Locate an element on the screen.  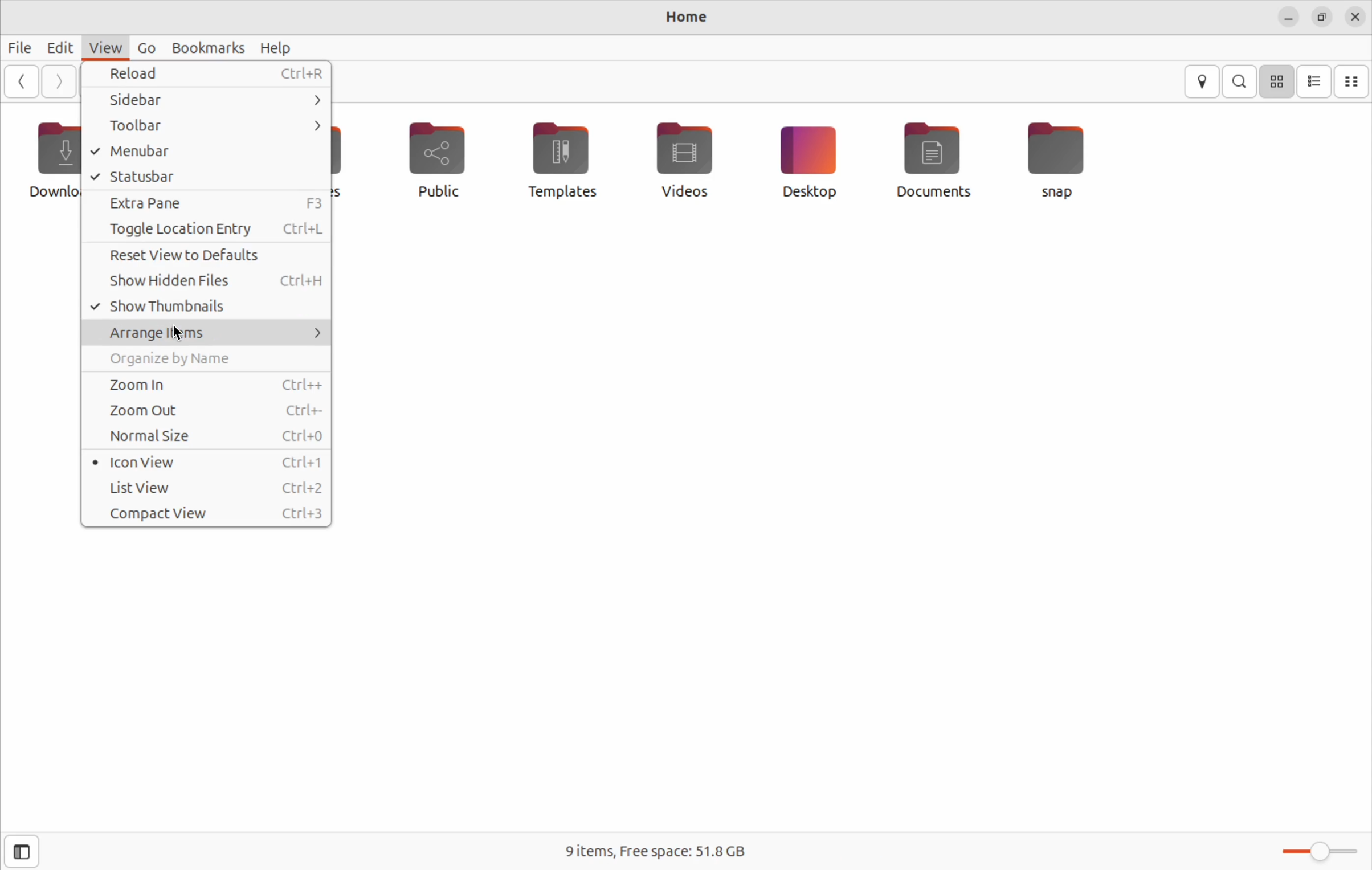
zomm in is located at coordinates (205, 383).